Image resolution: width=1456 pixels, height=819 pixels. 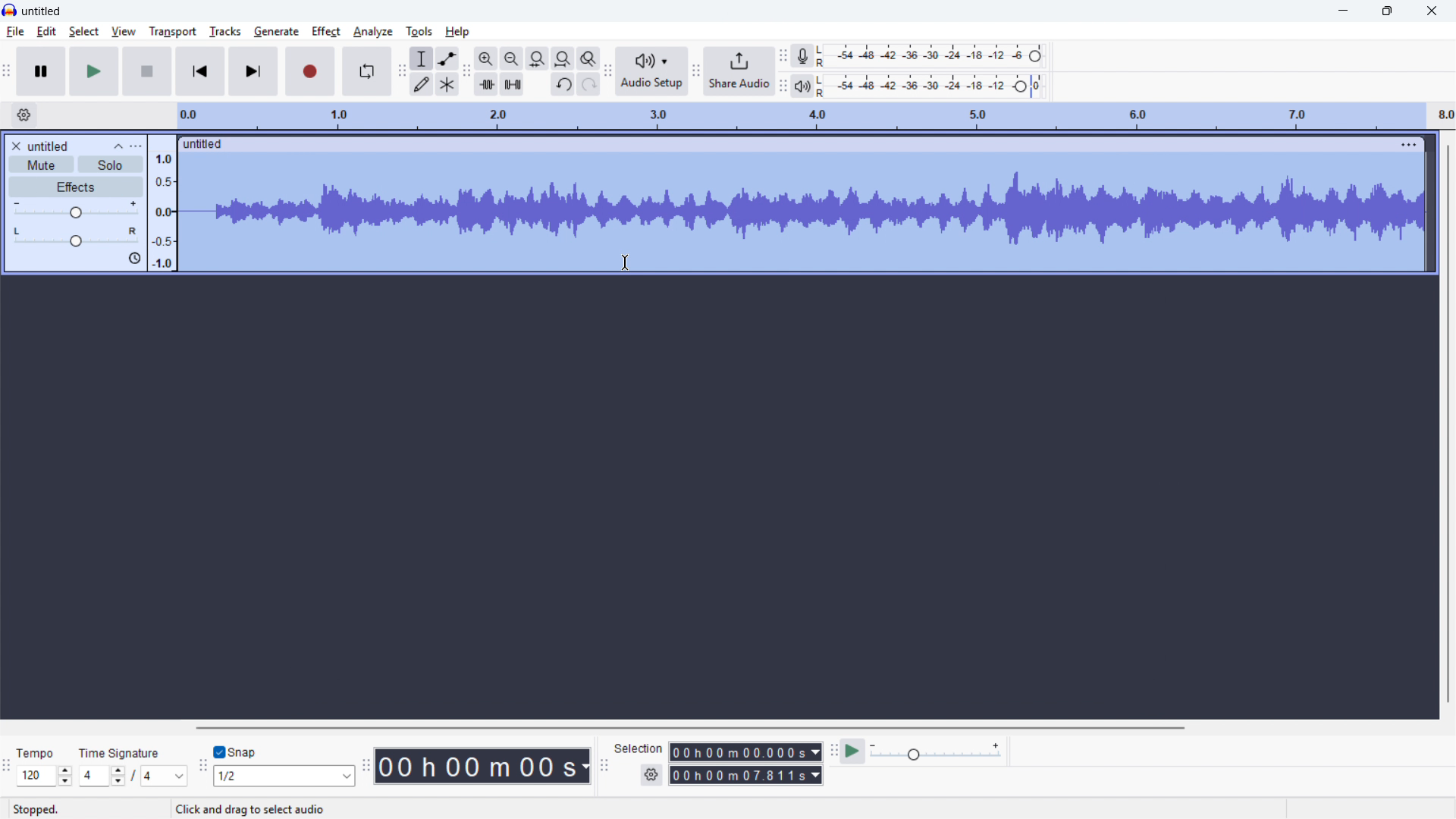 I want to click on Snipping toolbar , so click(x=202, y=769).